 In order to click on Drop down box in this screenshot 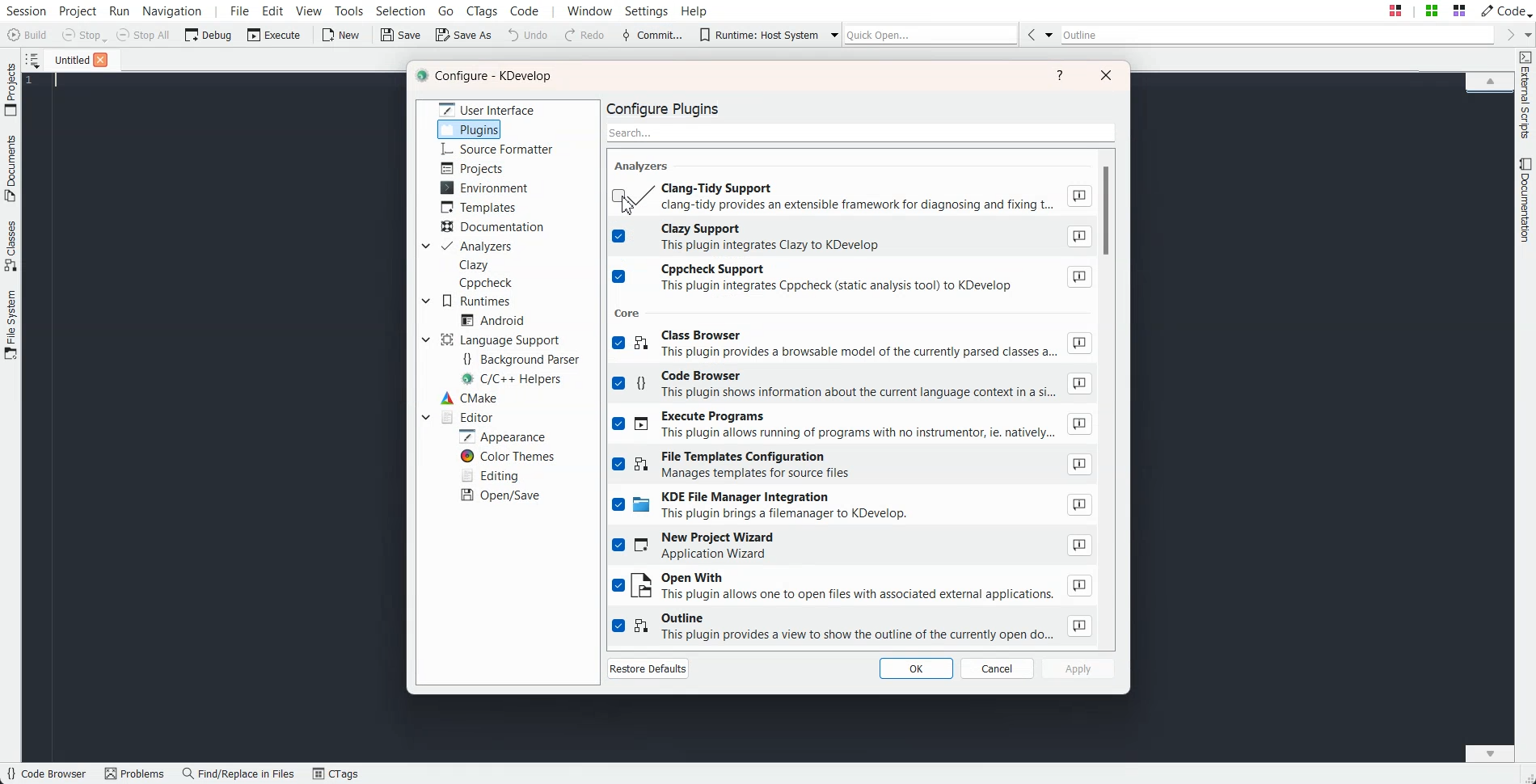, I will do `click(424, 247)`.